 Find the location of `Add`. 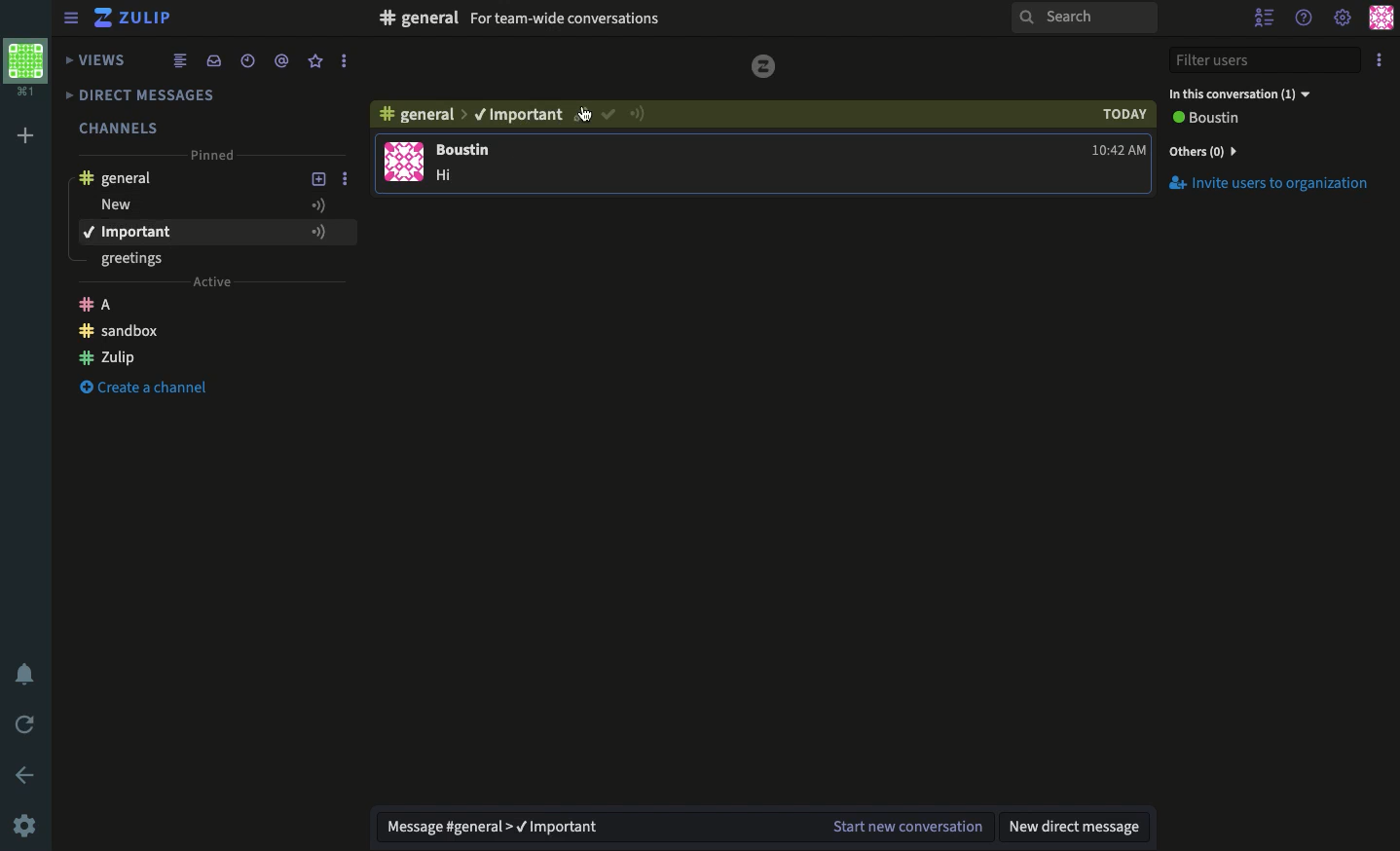

Add is located at coordinates (315, 232).